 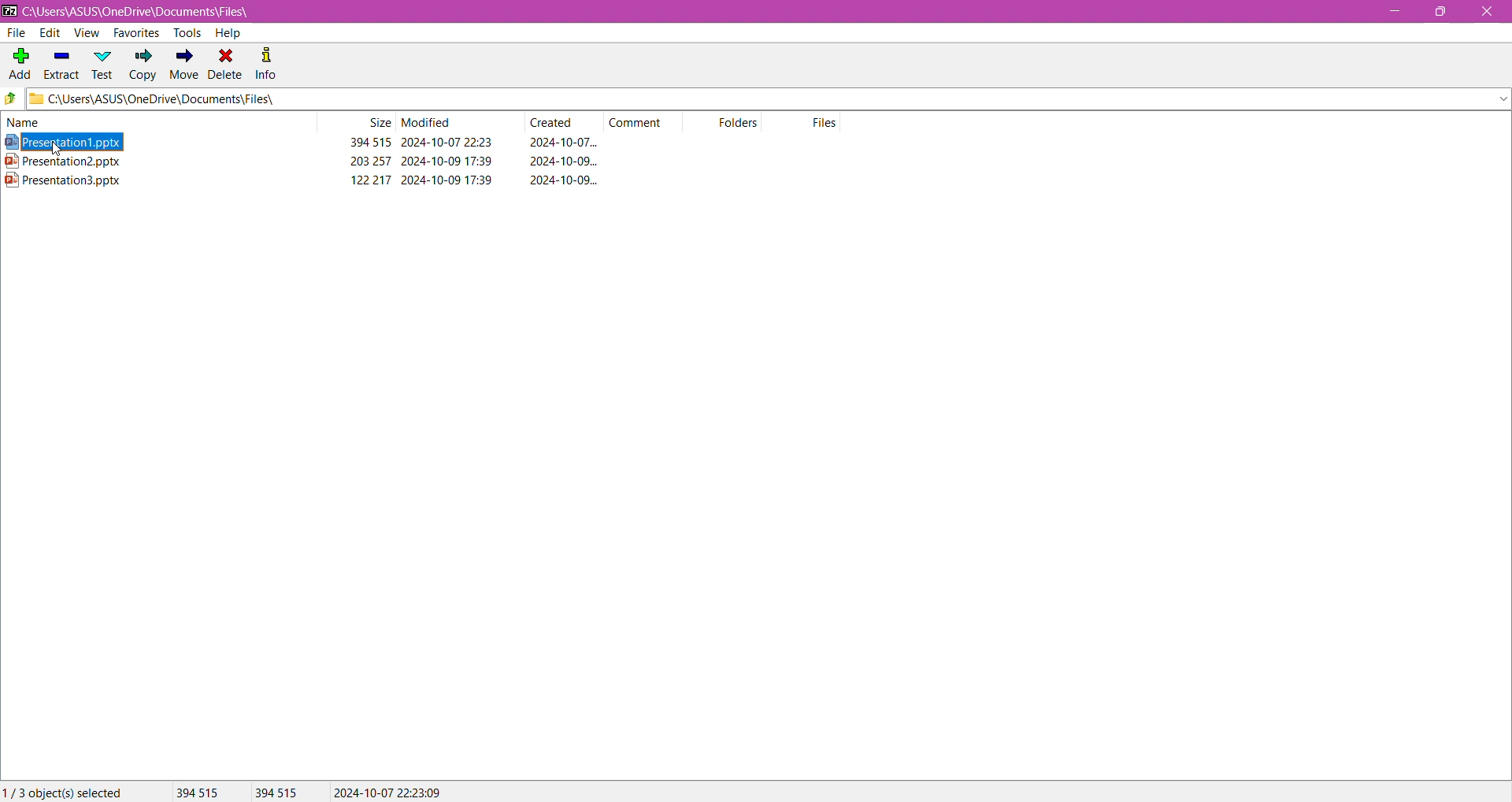 I want to click on Name, so click(x=39, y=122).